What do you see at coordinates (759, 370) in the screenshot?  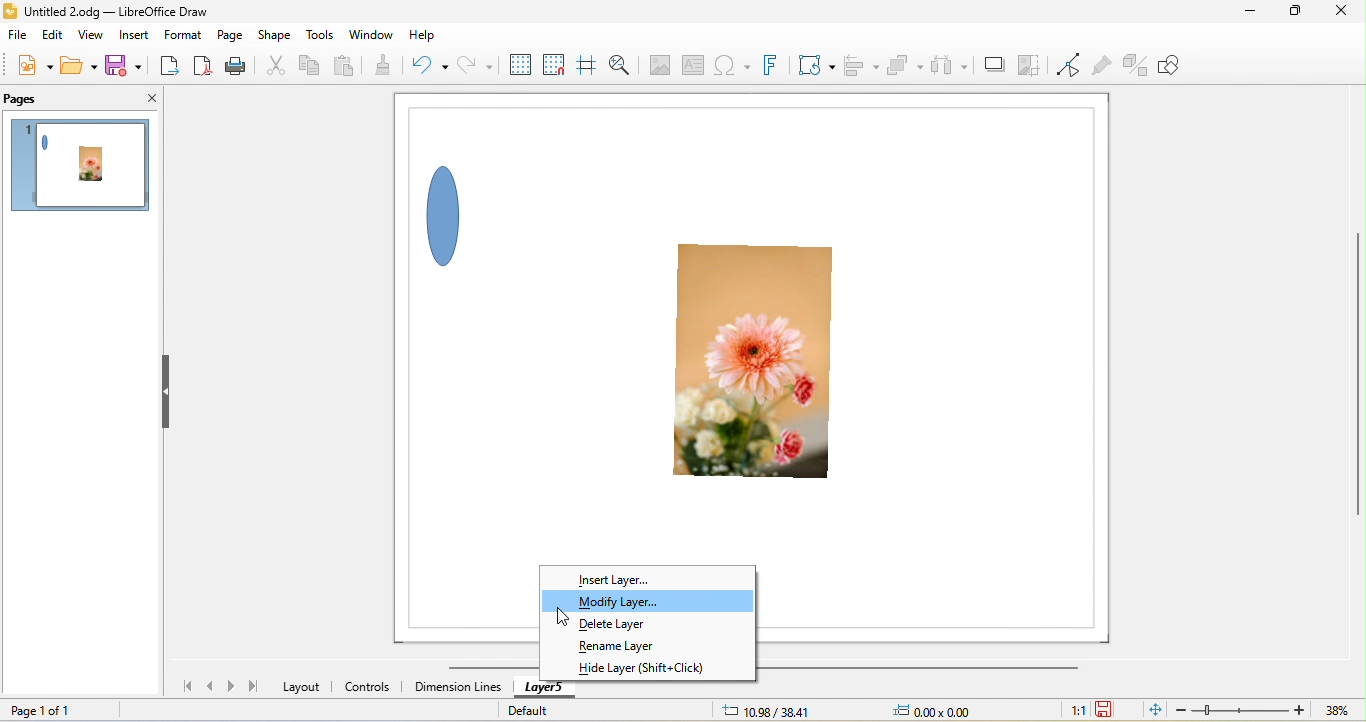 I see `photo` at bounding box center [759, 370].